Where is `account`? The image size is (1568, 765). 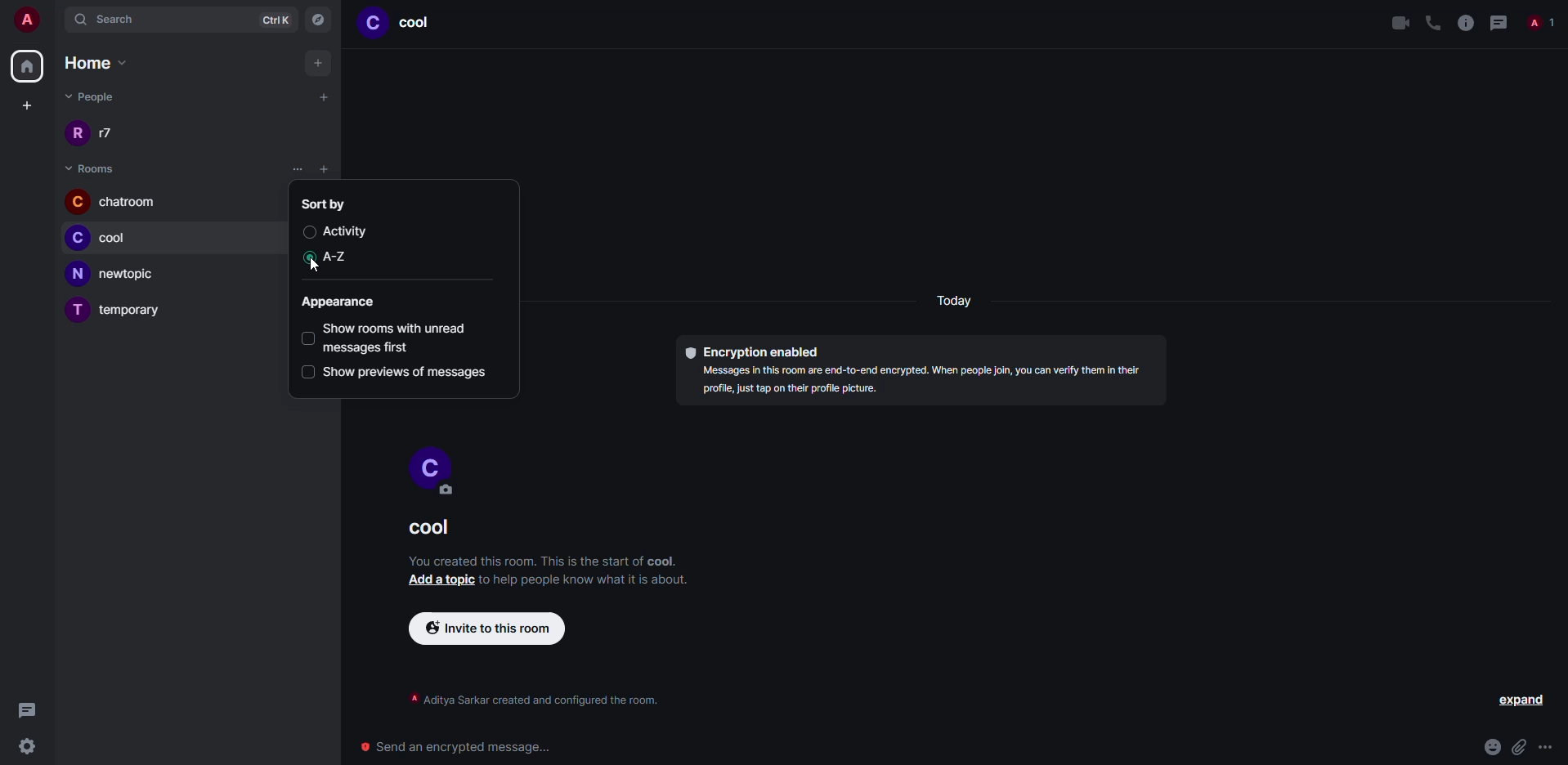
account is located at coordinates (32, 20).